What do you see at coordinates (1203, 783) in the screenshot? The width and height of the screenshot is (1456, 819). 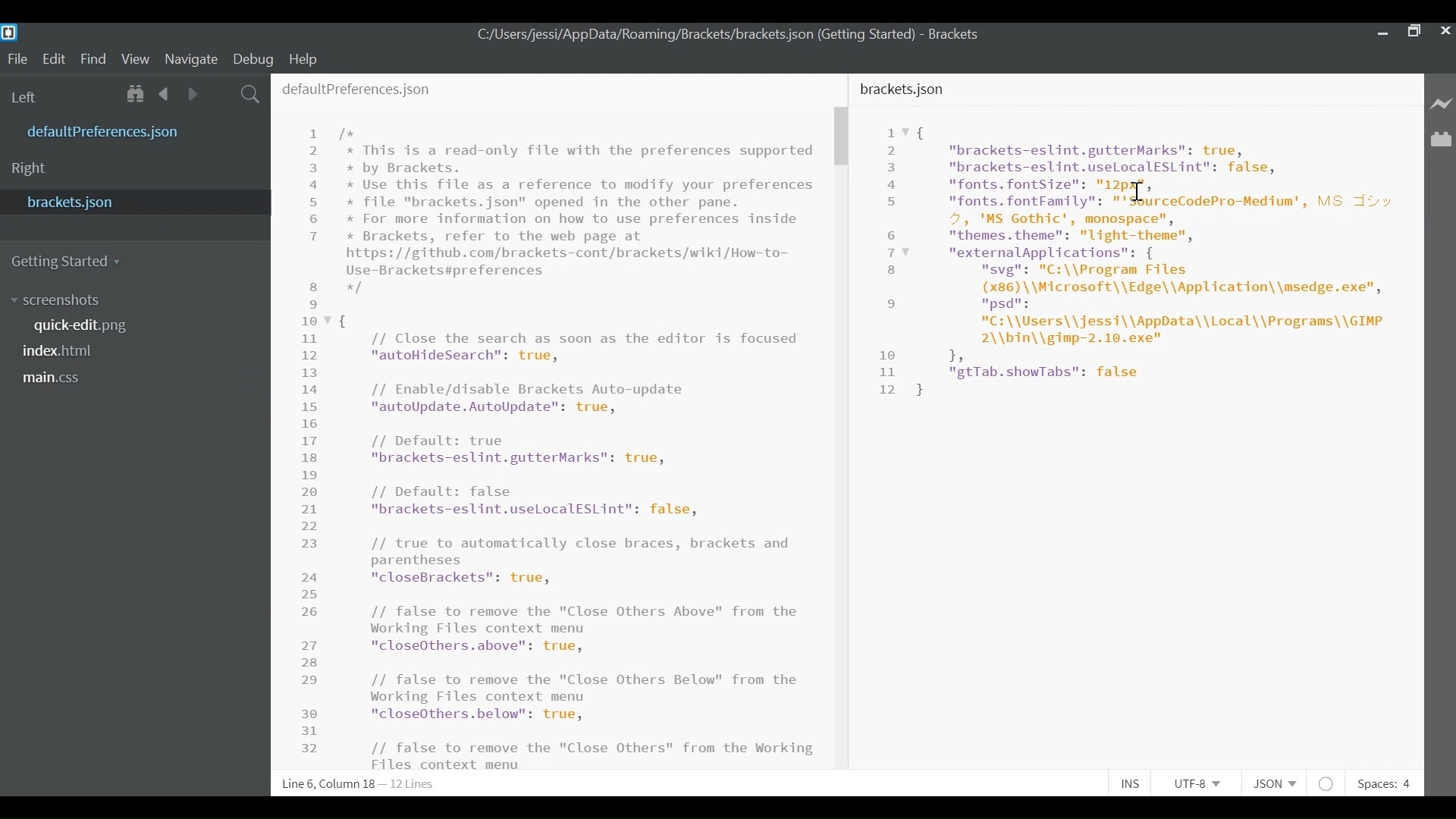 I see `UTF -8` at bounding box center [1203, 783].